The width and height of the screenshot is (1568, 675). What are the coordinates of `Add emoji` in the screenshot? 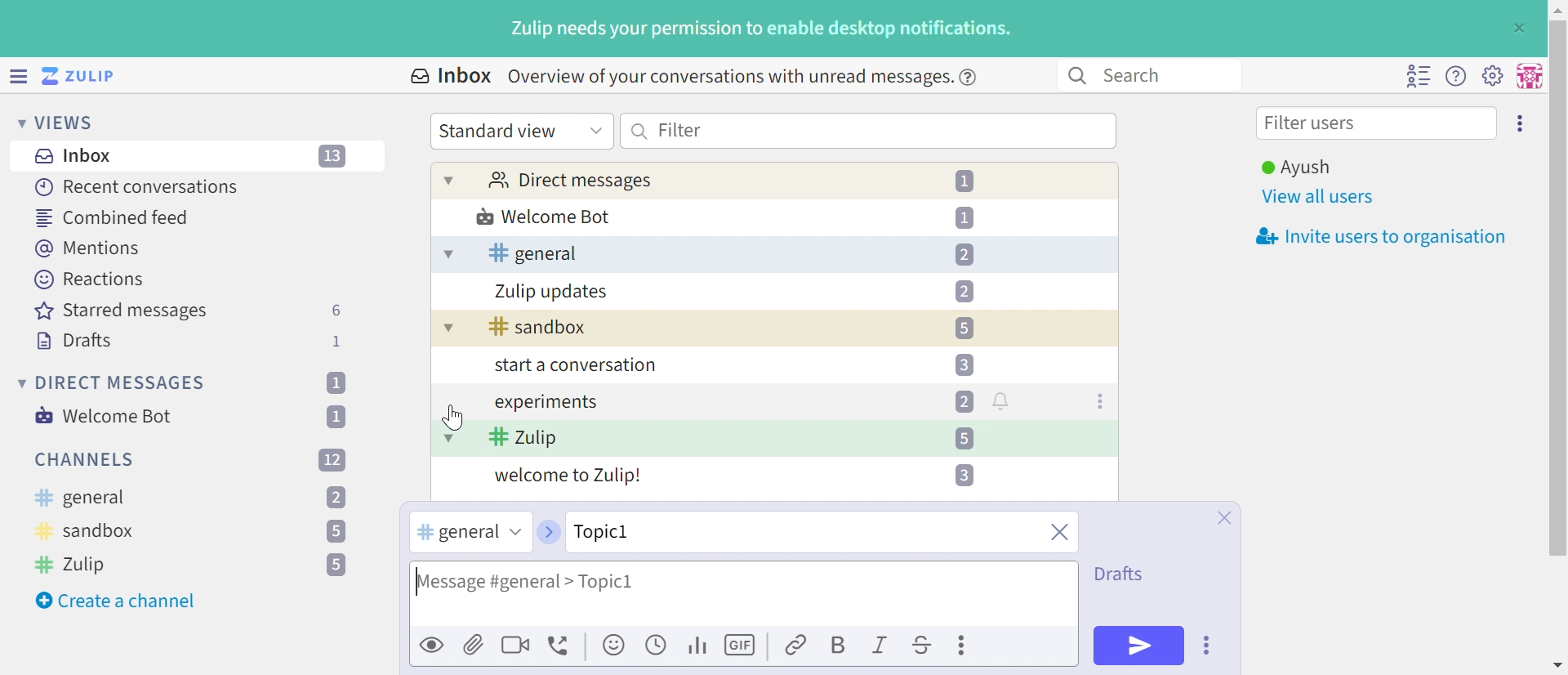 It's located at (615, 646).